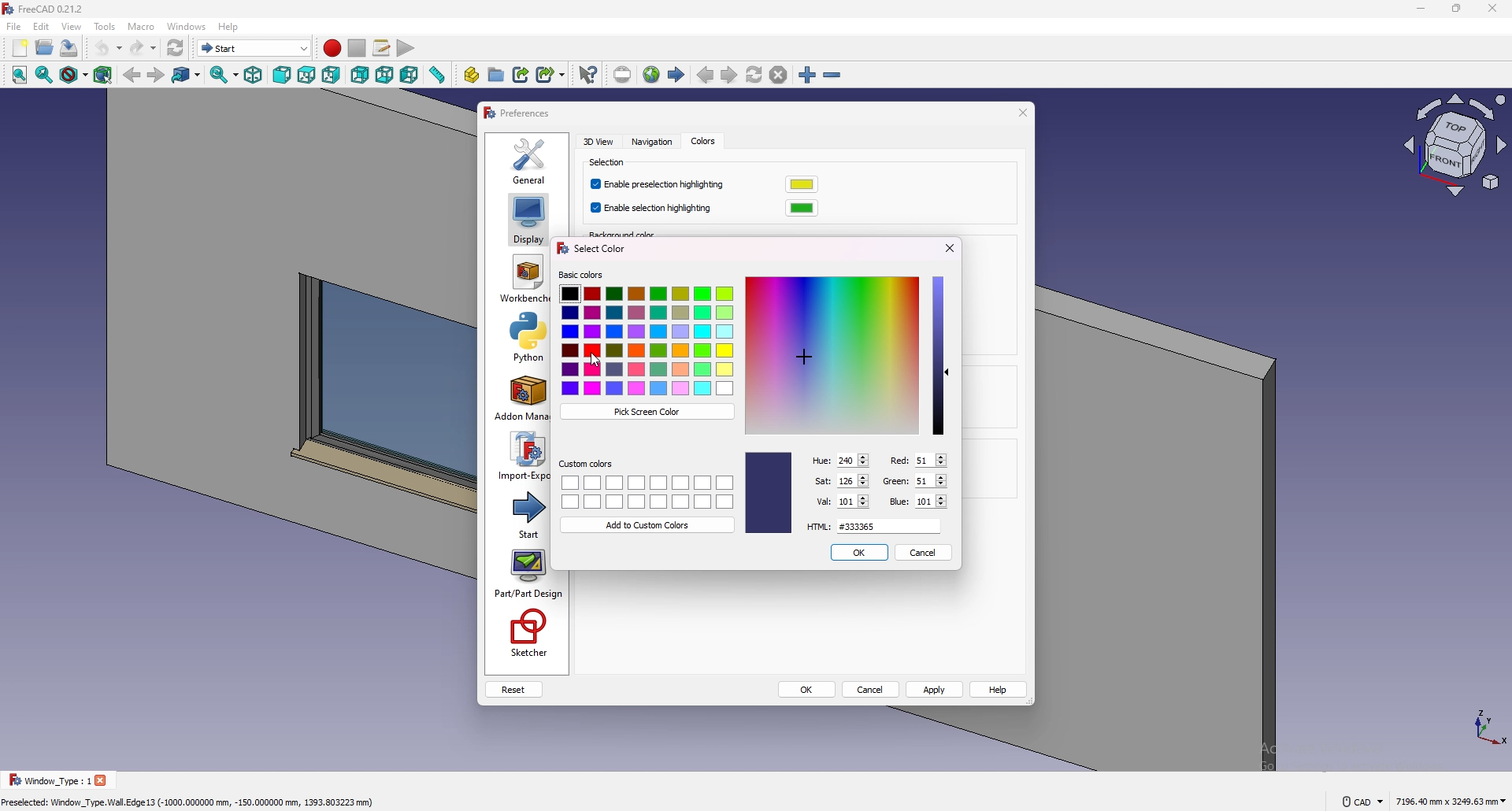 The image size is (1512, 811). Describe the element at coordinates (383, 48) in the screenshot. I see `macros` at that location.